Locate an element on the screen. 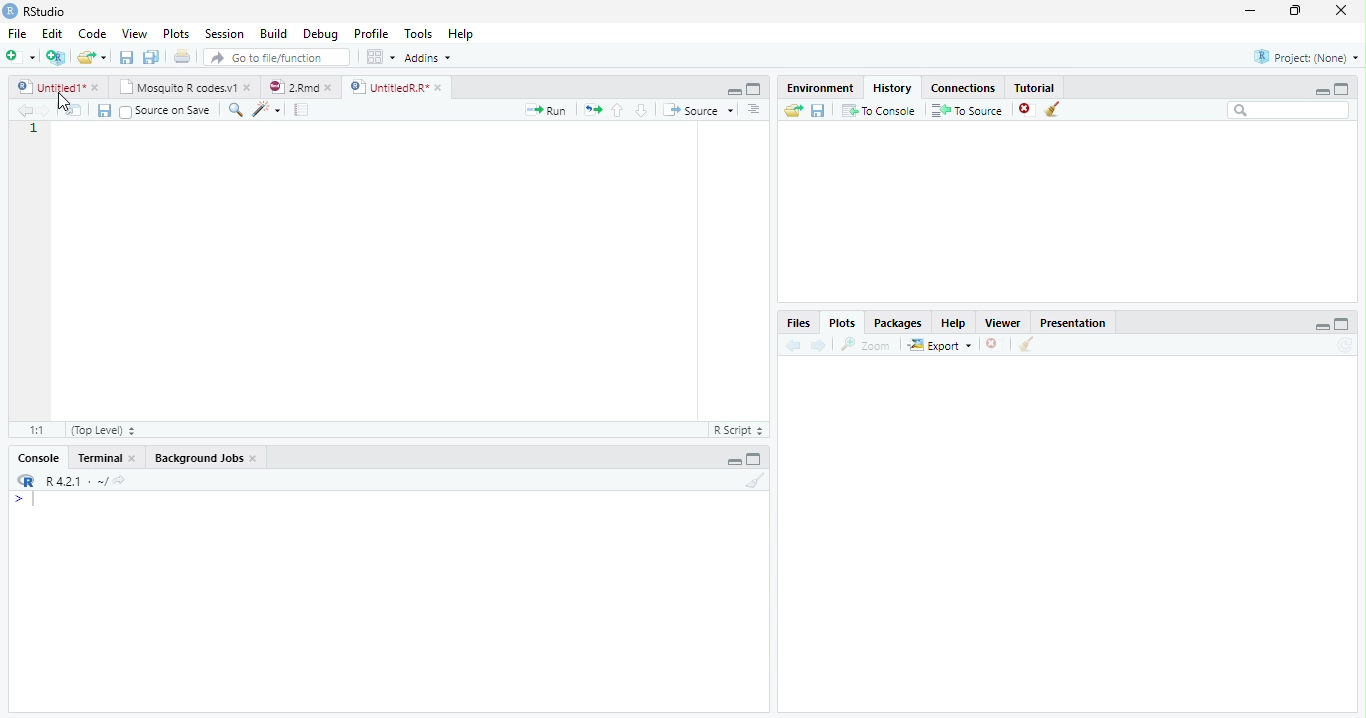 The image size is (1366, 718). Remove current plot is located at coordinates (994, 345).